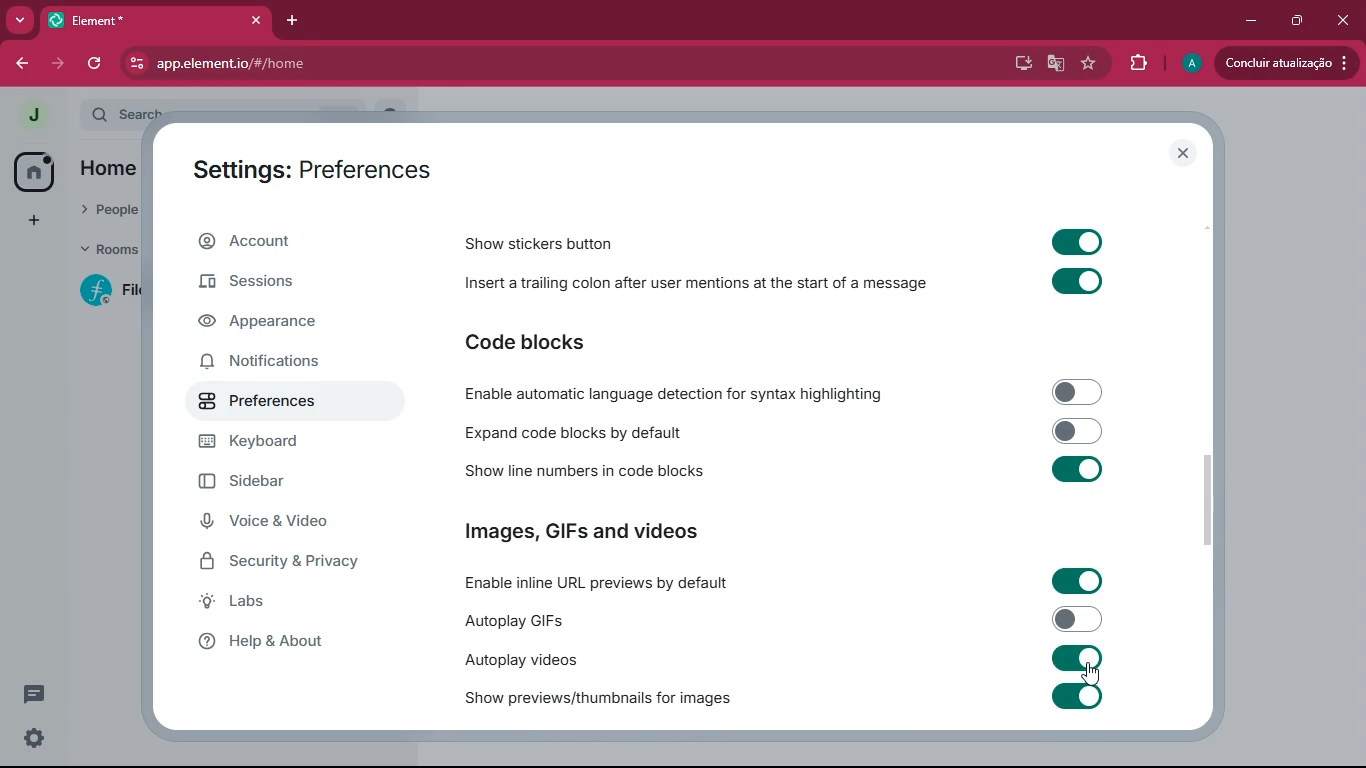 This screenshot has width=1366, height=768. Describe the element at coordinates (1052, 66) in the screenshot. I see `google translate` at that location.